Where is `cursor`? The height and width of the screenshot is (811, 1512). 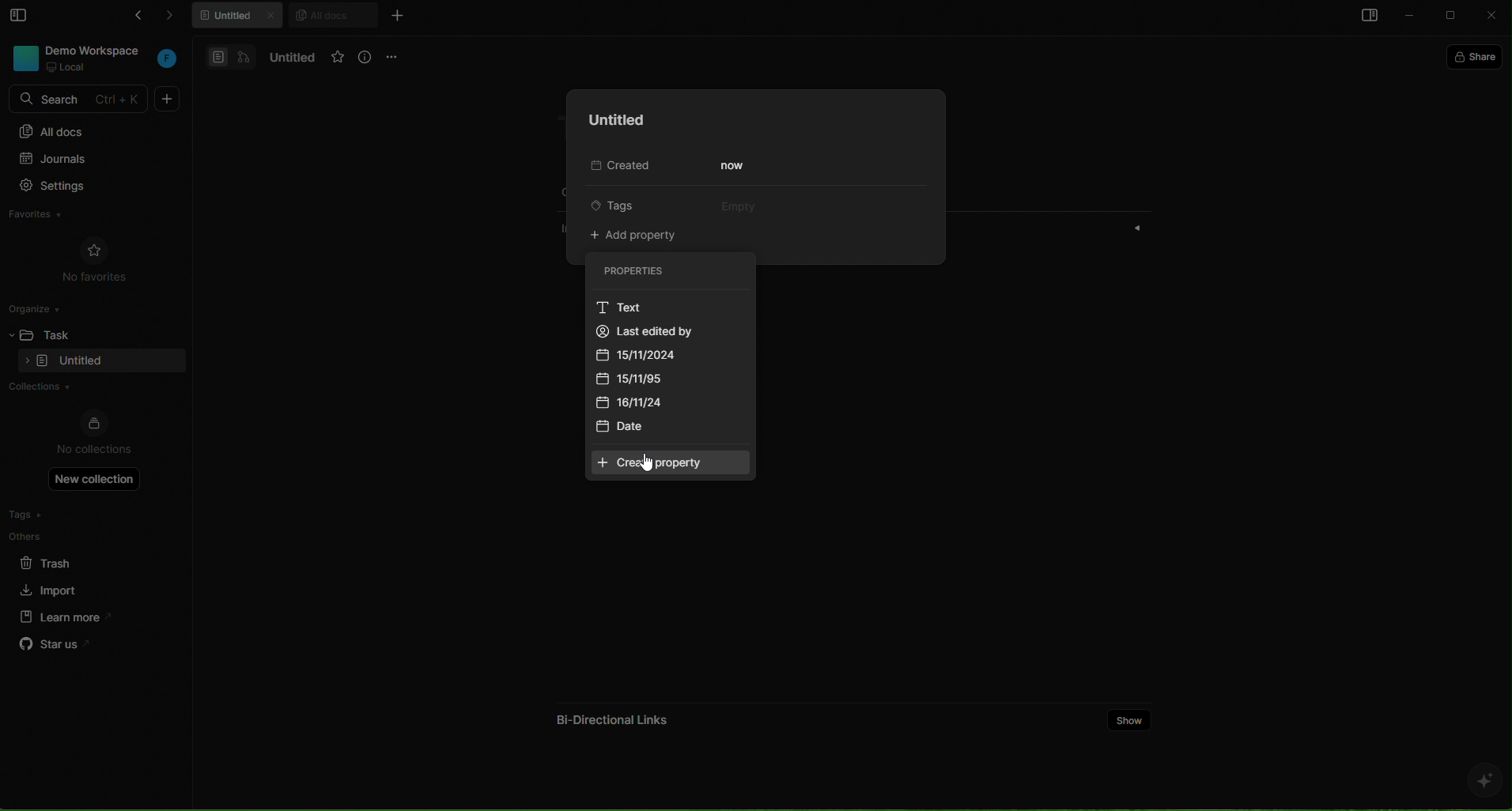
cursor is located at coordinates (645, 464).